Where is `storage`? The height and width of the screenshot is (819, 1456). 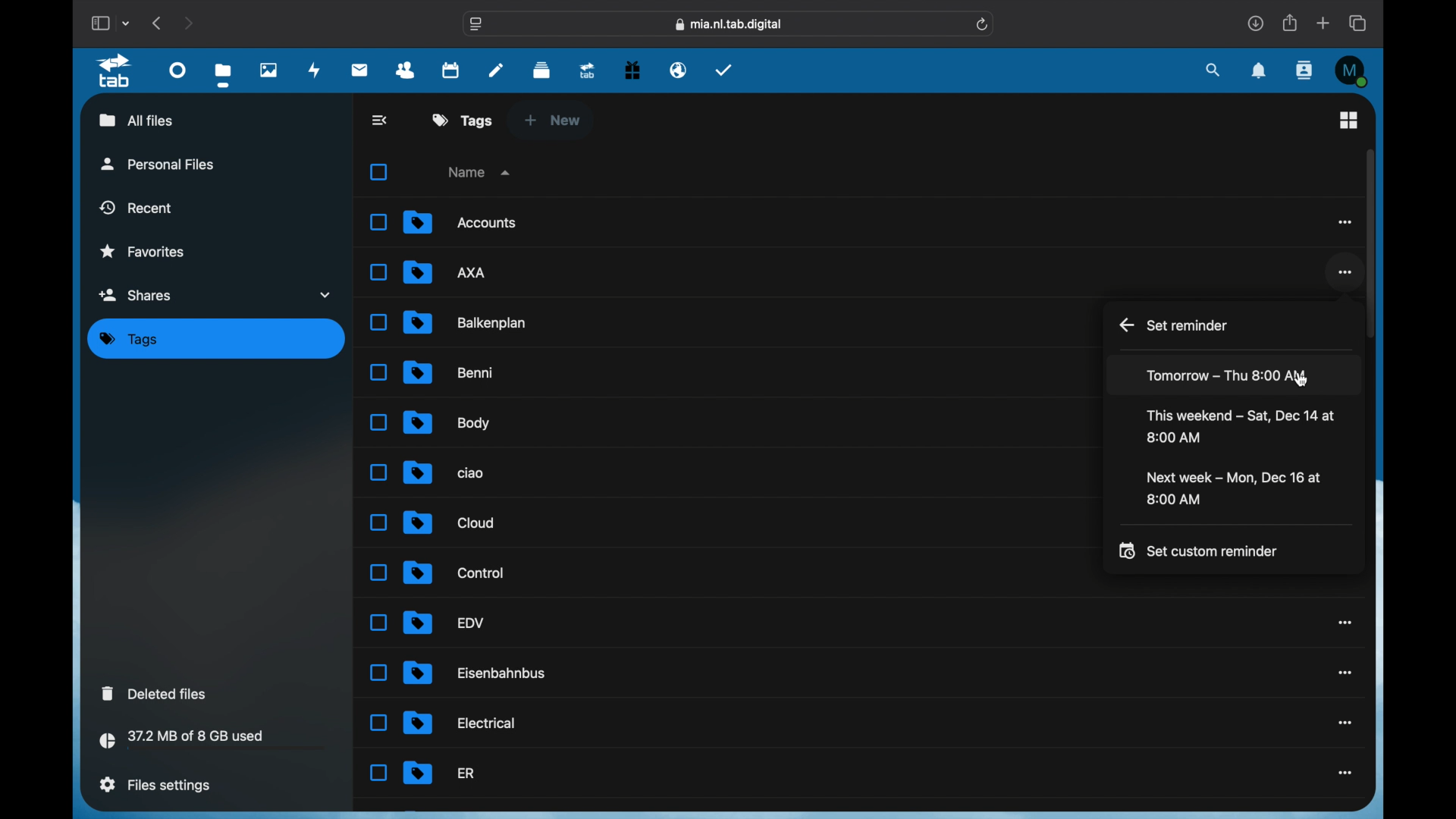
storage is located at coordinates (213, 742).